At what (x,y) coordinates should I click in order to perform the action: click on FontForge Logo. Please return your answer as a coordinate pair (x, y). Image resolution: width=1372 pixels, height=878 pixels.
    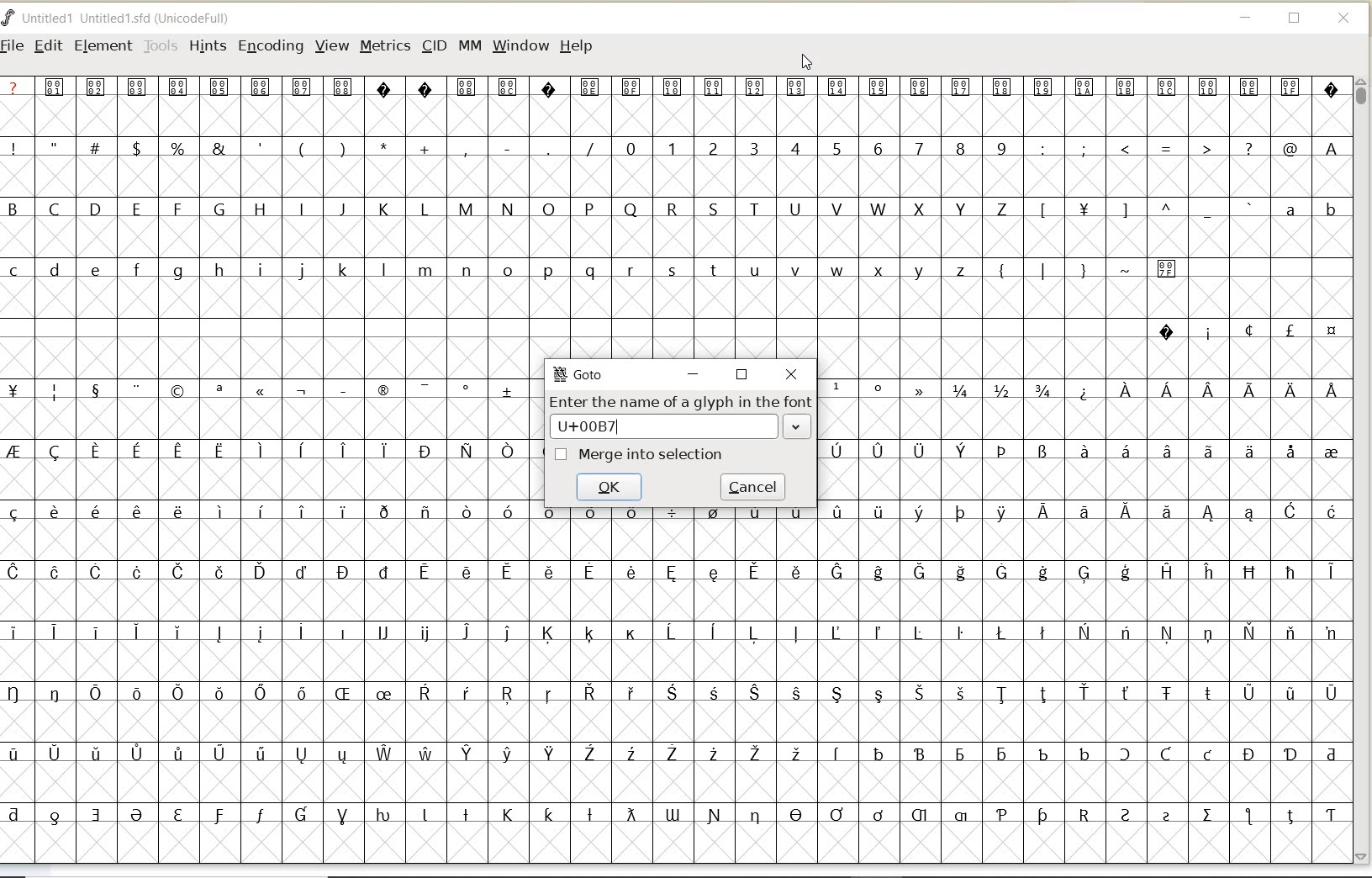
    Looking at the image, I should click on (9, 16).